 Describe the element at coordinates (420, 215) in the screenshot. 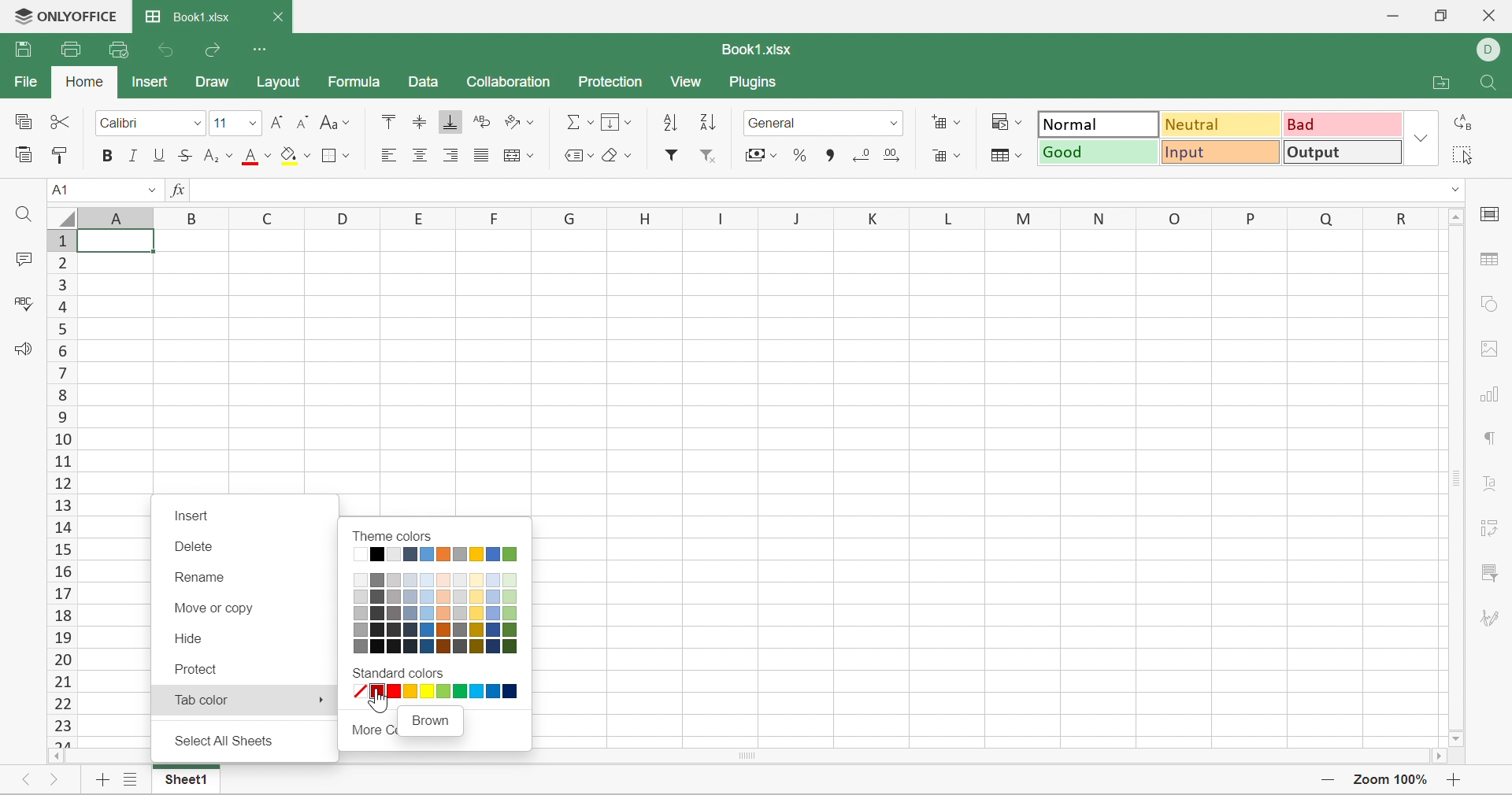

I see `E` at that location.